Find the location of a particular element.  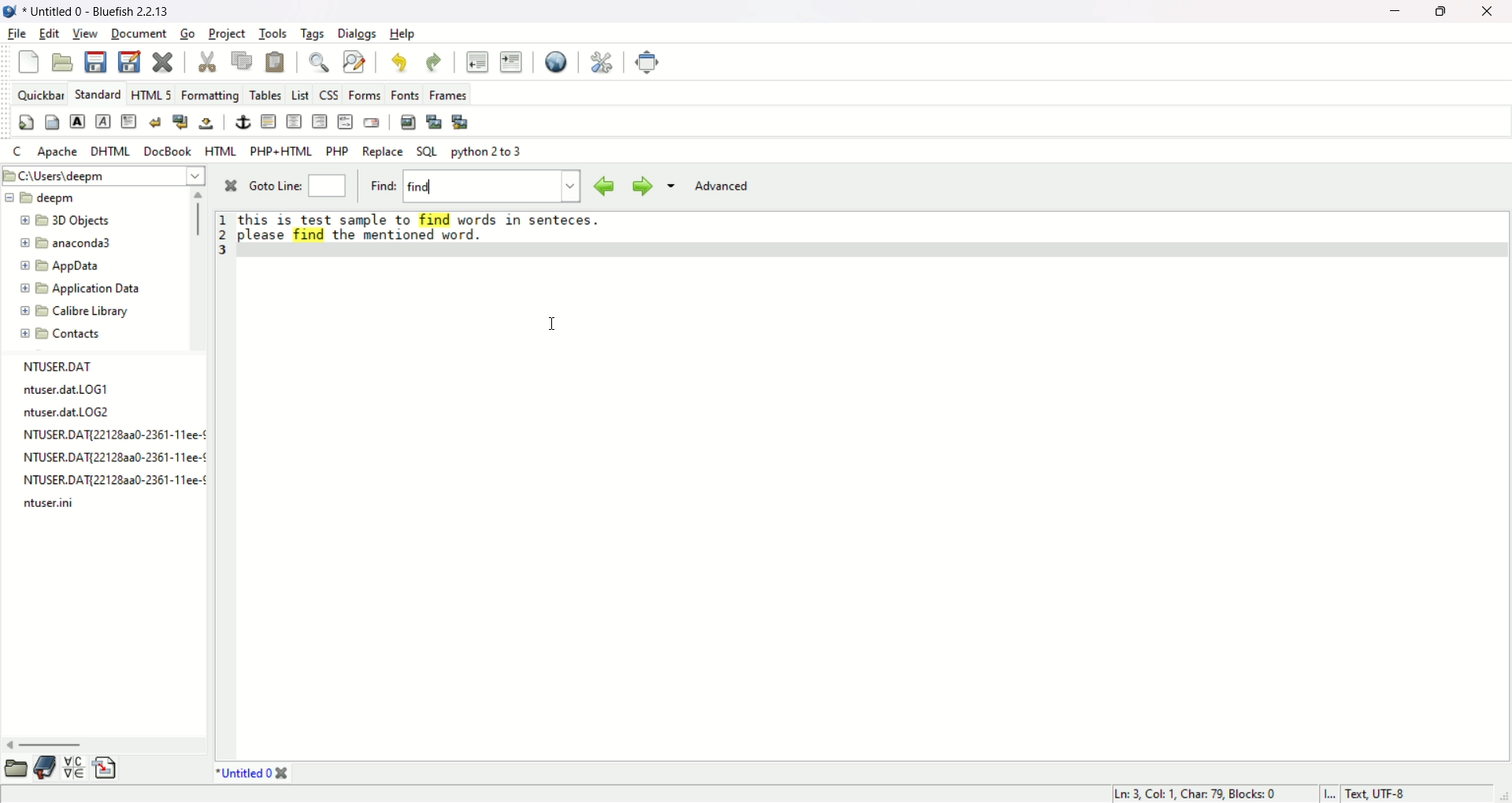

advanced is located at coordinates (720, 187).